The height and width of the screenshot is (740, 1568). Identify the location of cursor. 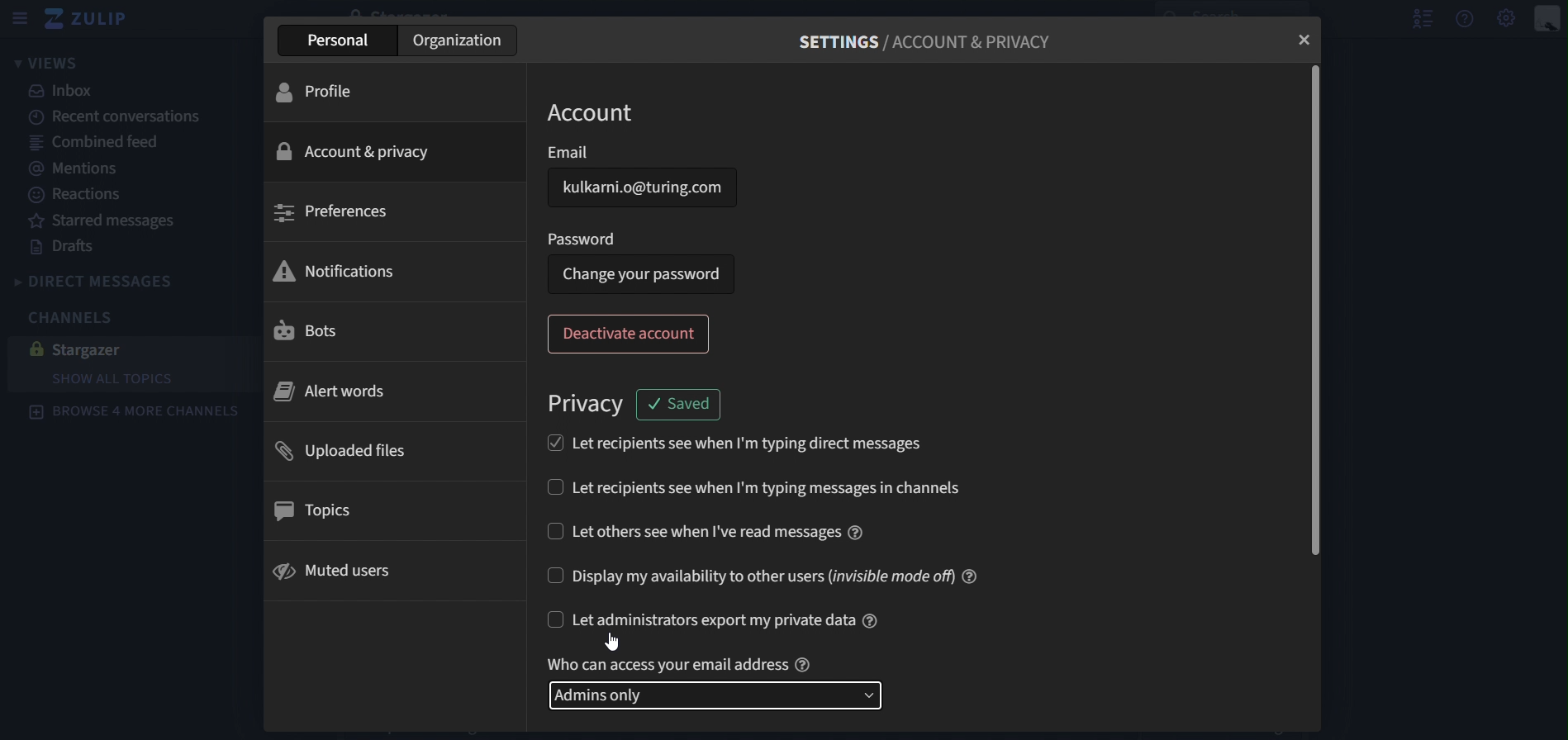
(614, 641).